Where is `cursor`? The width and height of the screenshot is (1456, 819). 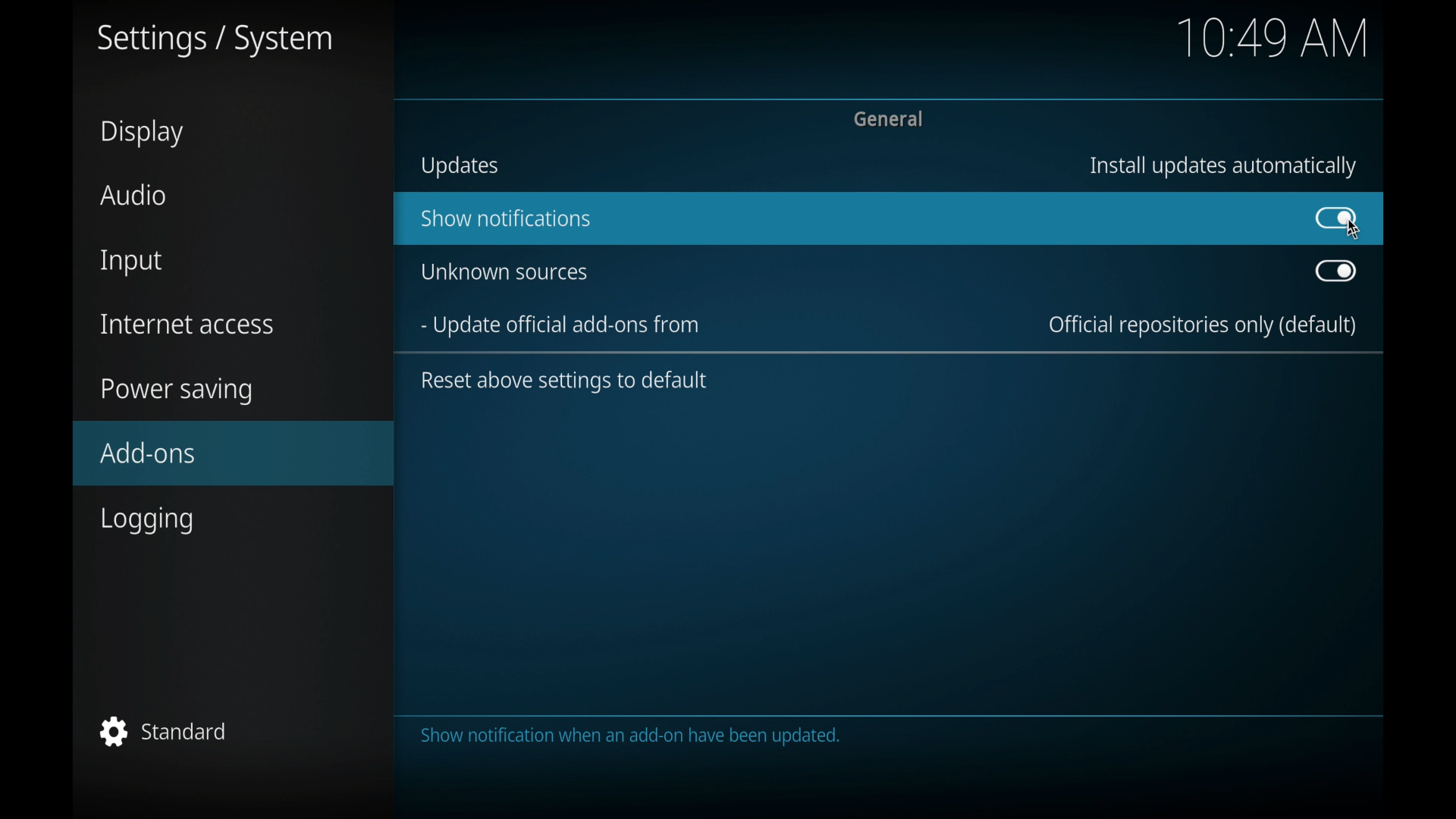 cursor is located at coordinates (1355, 234).